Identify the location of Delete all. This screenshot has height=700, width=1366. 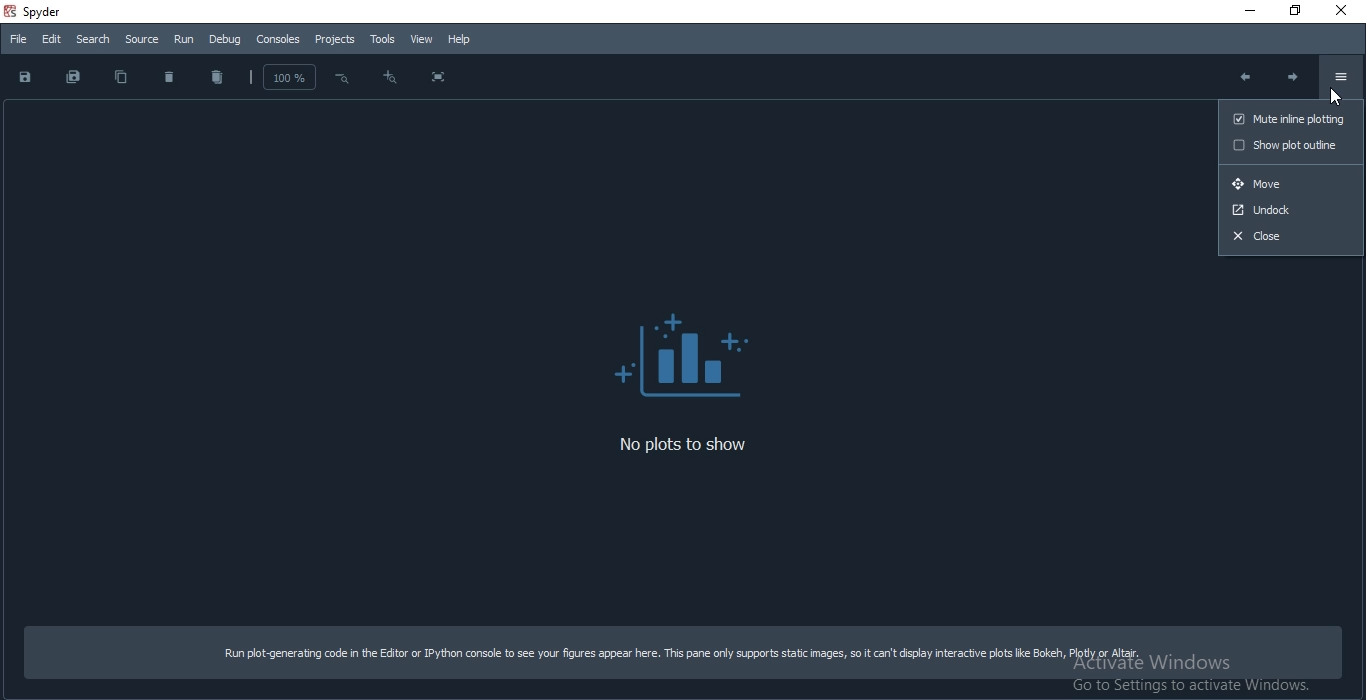
(216, 79).